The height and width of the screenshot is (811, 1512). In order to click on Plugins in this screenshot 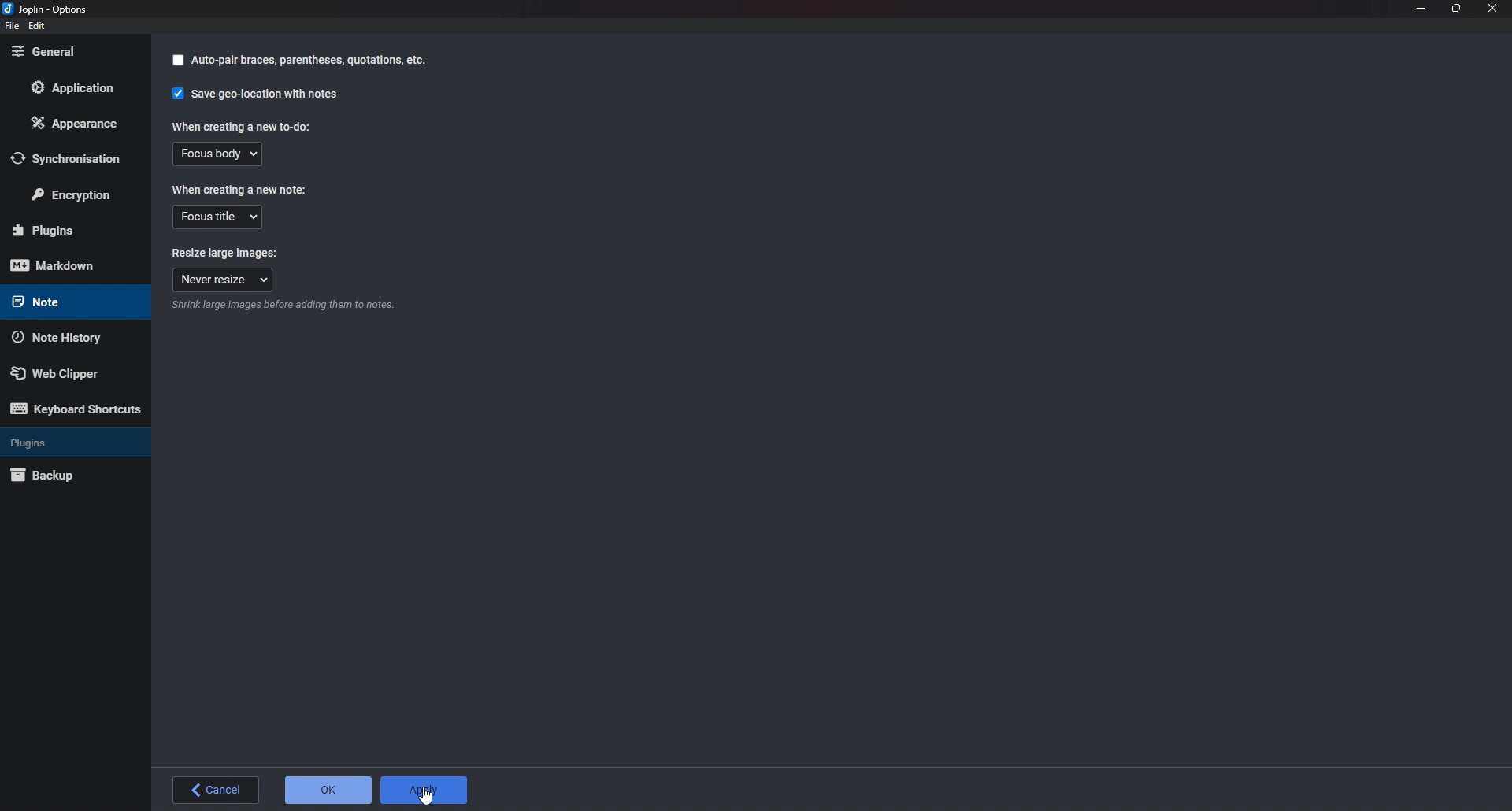, I will do `click(68, 230)`.